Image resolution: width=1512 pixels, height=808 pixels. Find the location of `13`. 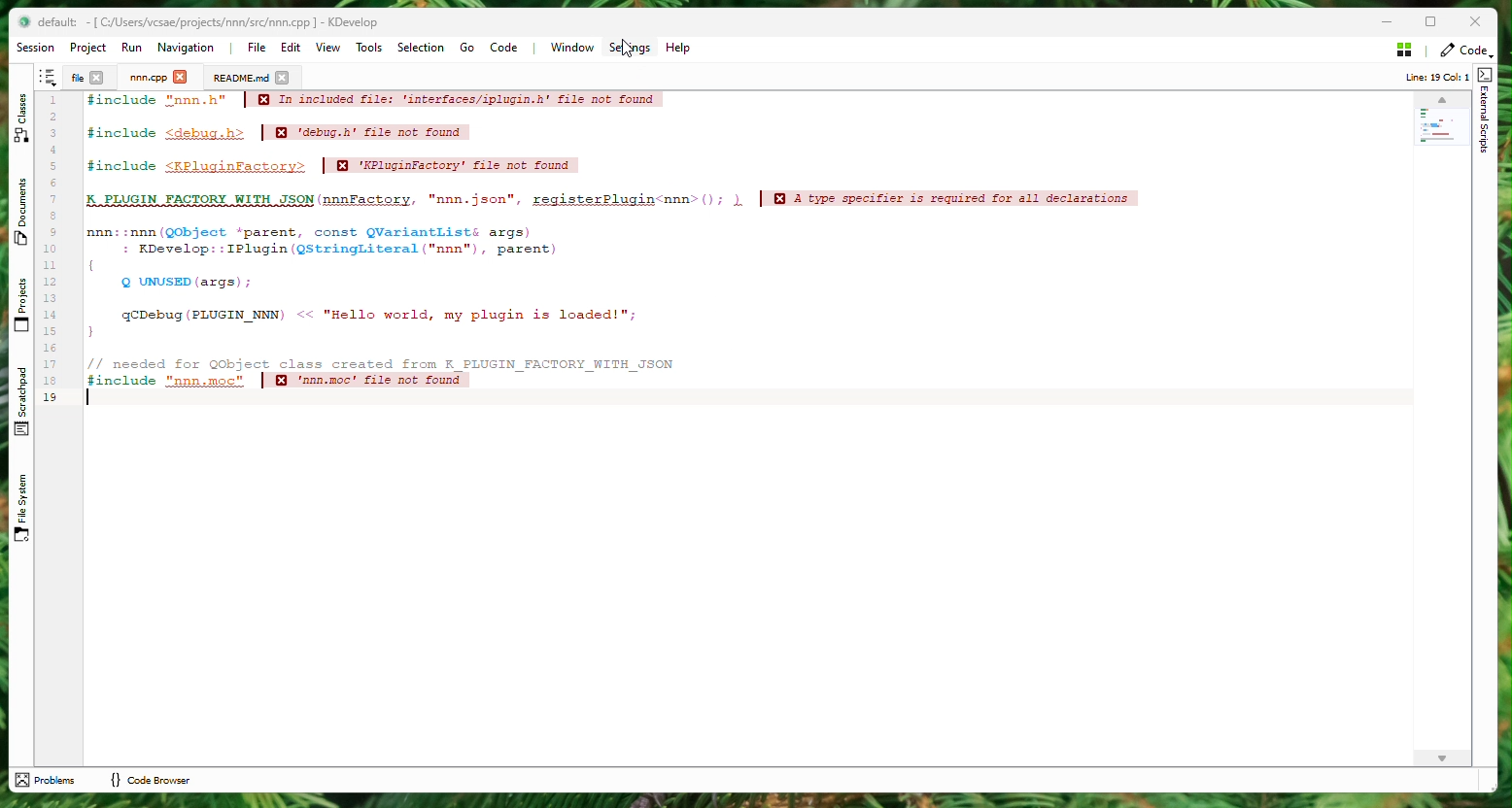

13 is located at coordinates (52, 298).